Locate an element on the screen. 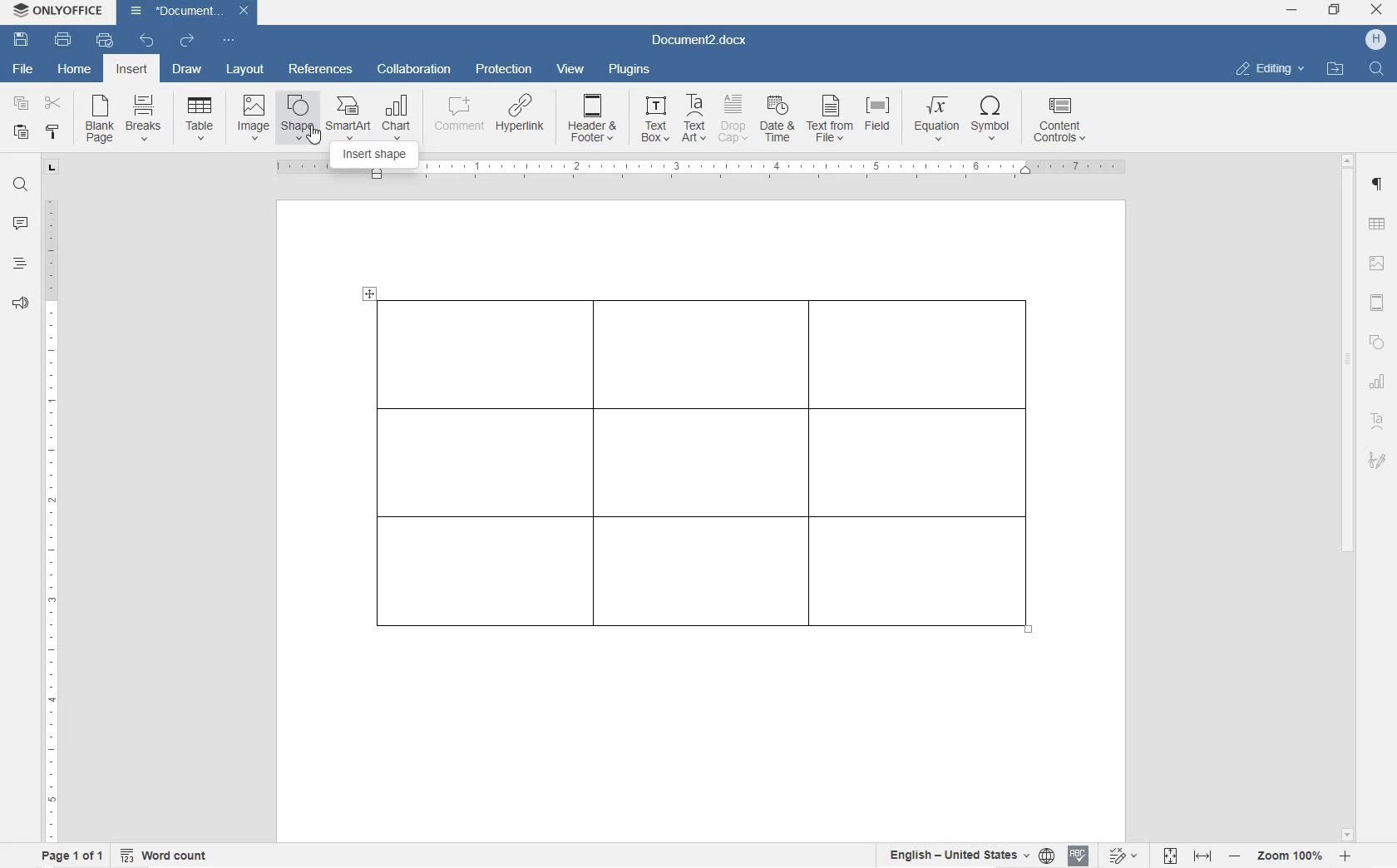 This screenshot has height=868, width=1397. fit to page or width is located at coordinates (1187, 855).